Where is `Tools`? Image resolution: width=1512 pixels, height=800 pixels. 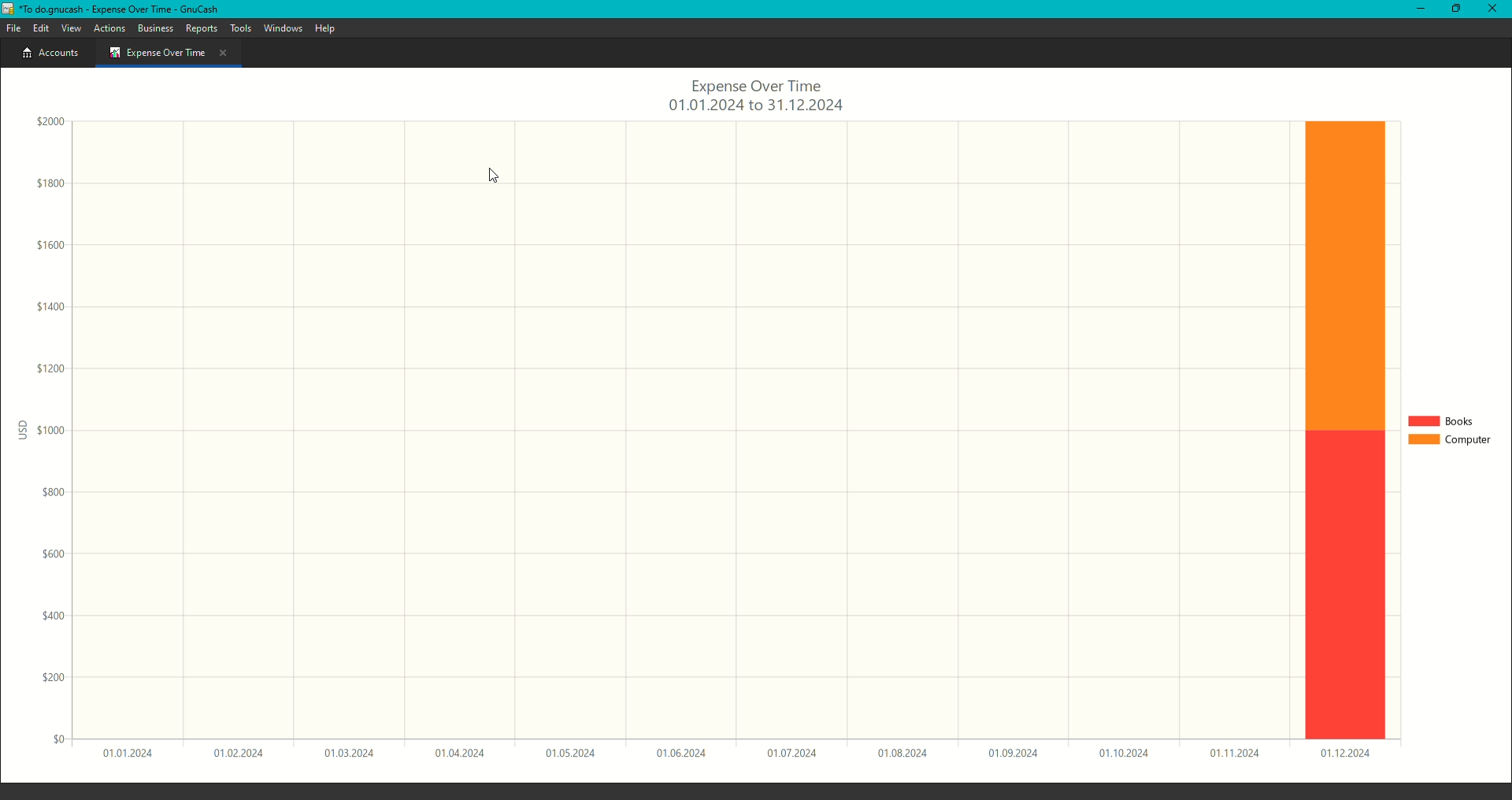 Tools is located at coordinates (241, 28).